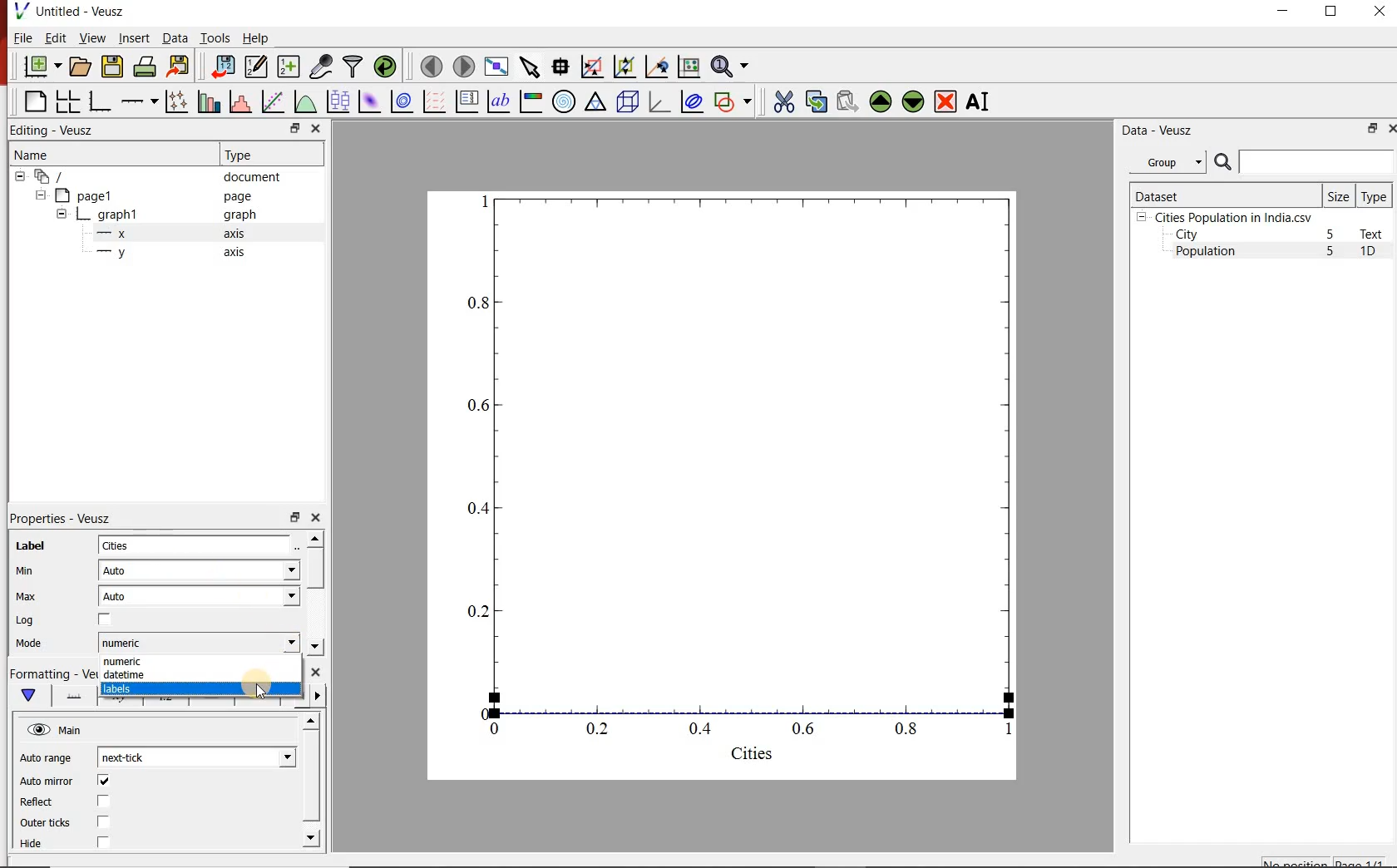  Describe the element at coordinates (149, 195) in the screenshot. I see `page1` at that location.